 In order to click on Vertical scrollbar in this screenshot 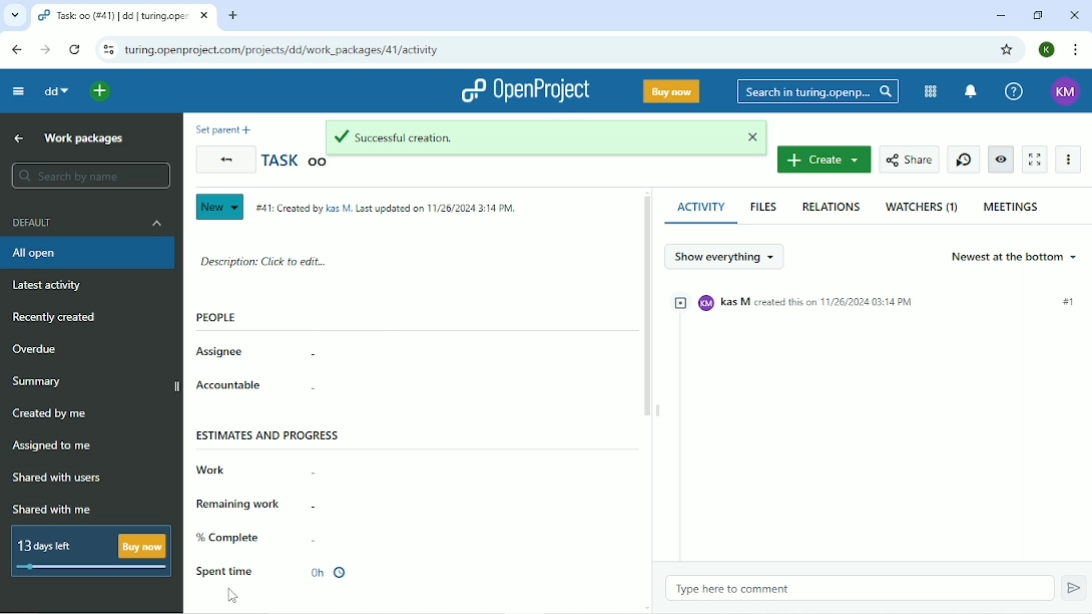, I will do `click(648, 306)`.